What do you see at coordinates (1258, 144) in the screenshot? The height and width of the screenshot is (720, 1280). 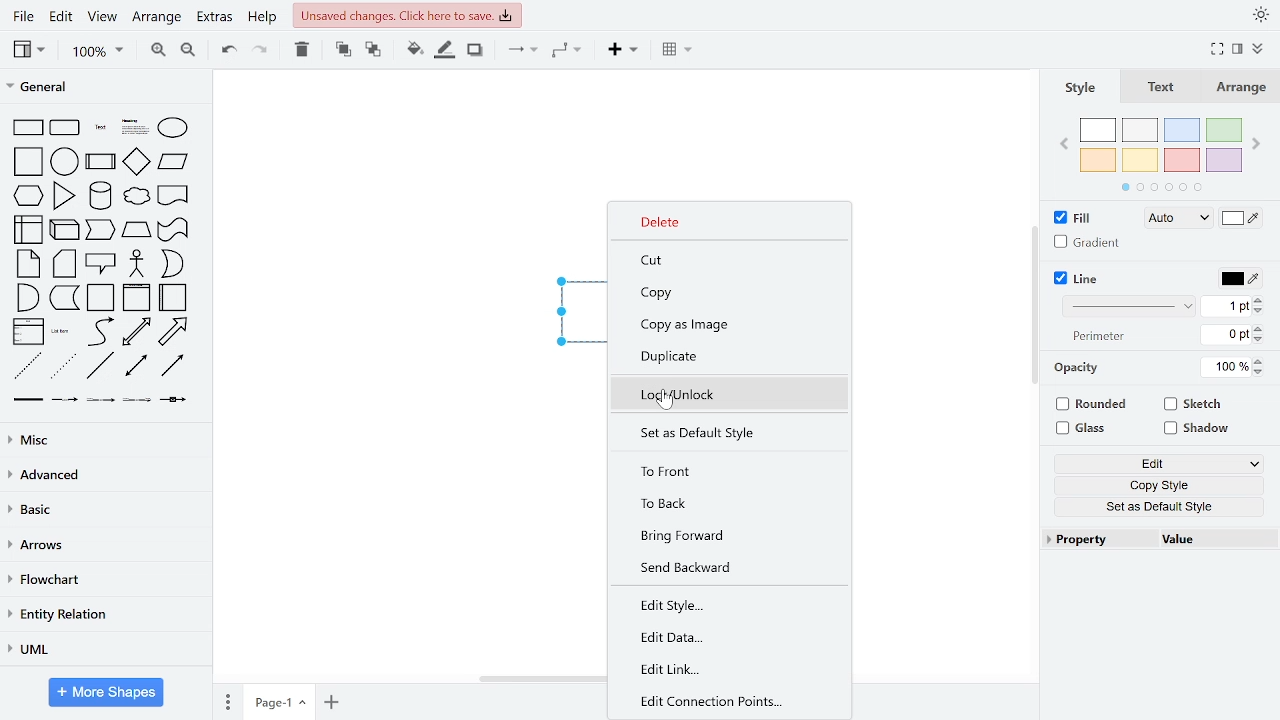 I see `next` at bounding box center [1258, 144].